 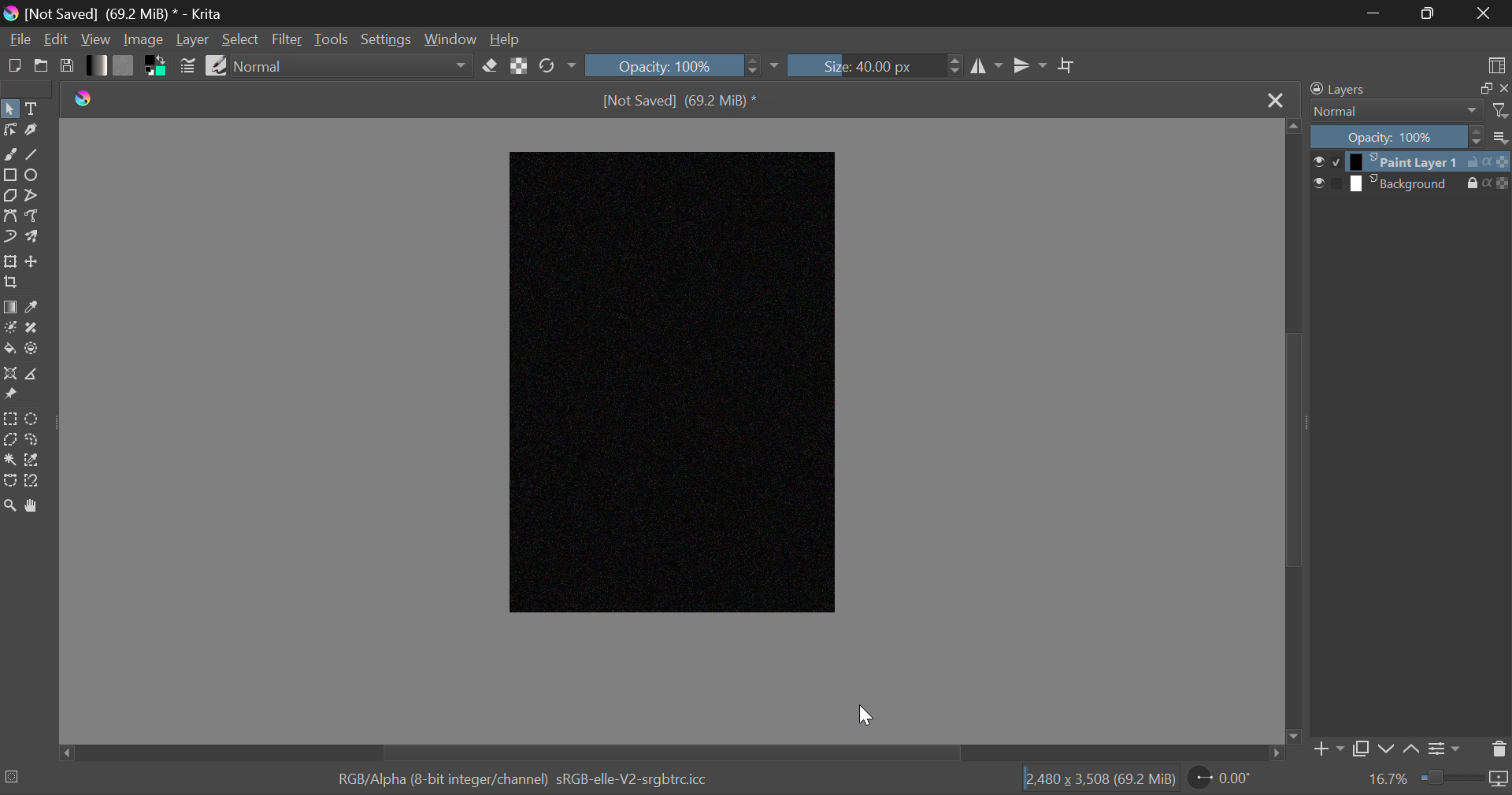 I want to click on Bezier Curve, so click(x=9, y=481).